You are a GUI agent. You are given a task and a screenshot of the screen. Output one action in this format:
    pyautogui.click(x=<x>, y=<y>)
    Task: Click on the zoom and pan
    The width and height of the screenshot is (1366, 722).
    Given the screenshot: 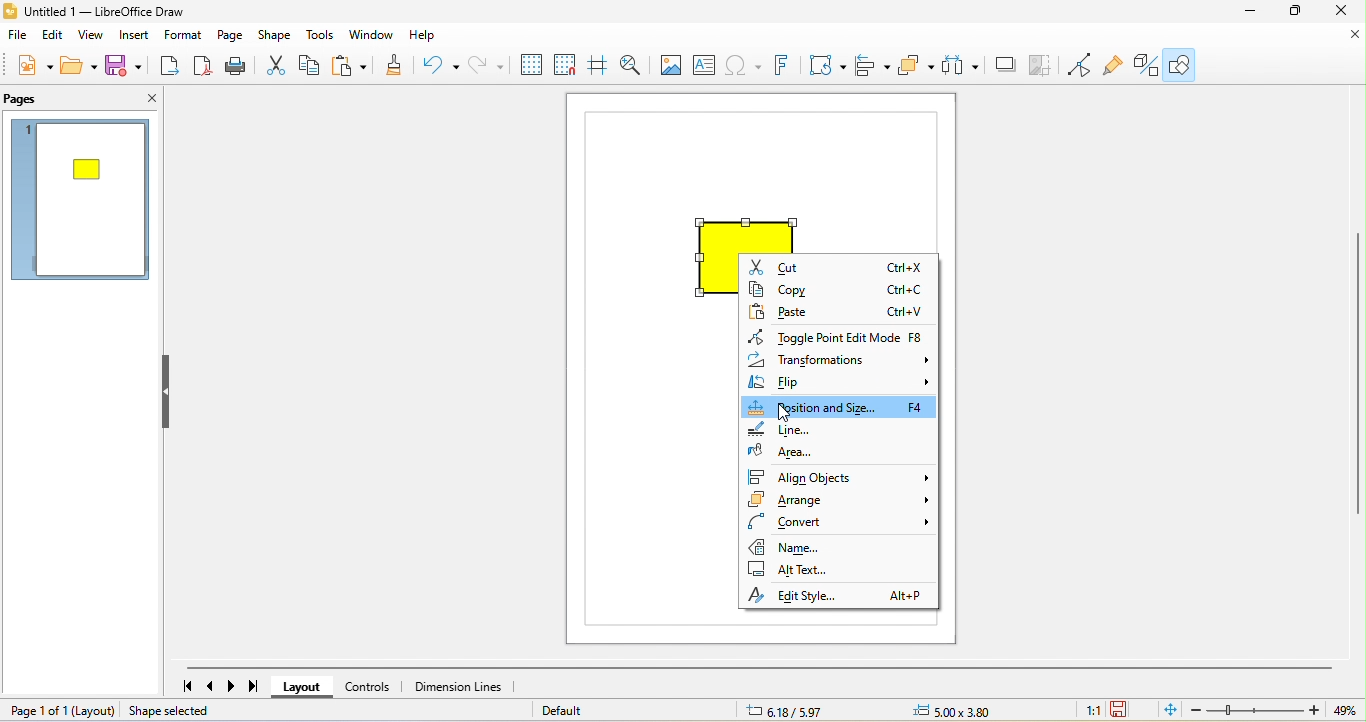 What is the action you would take?
    pyautogui.click(x=631, y=63)
    